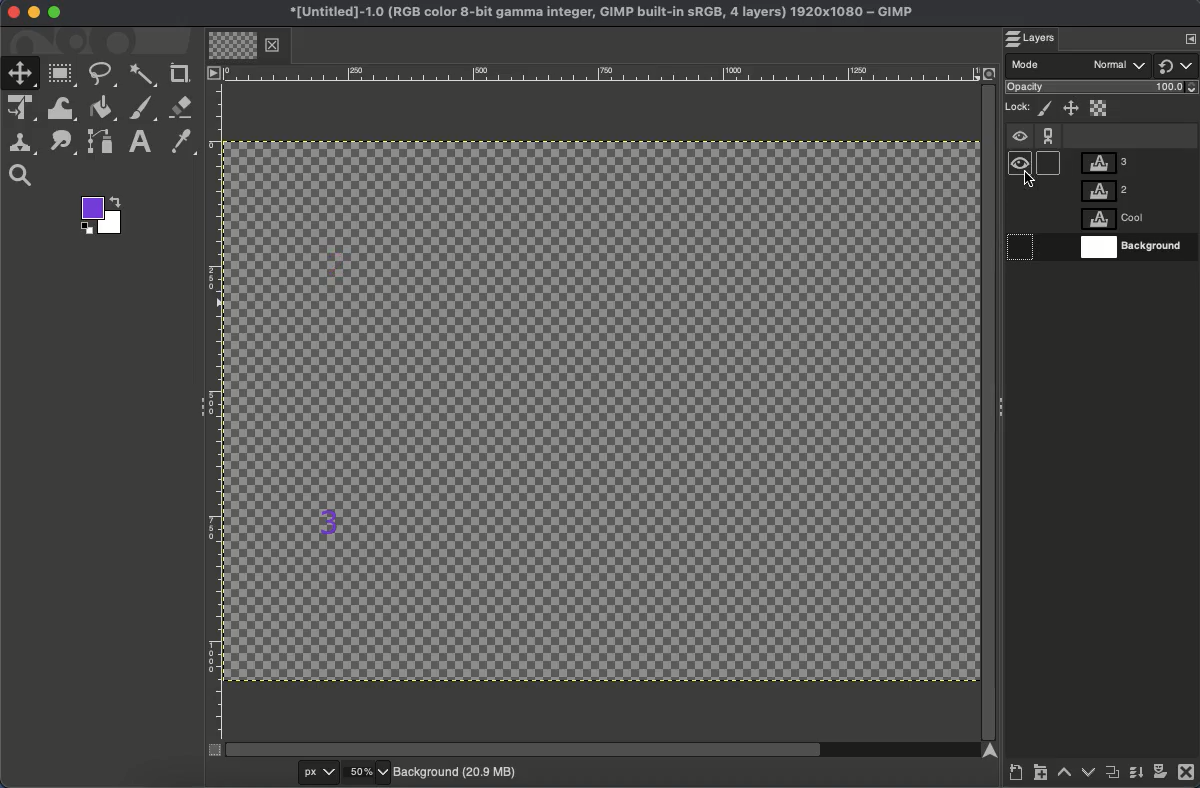 The image size is (1200, 788). I want to click on Visible, so click(1018, 145).